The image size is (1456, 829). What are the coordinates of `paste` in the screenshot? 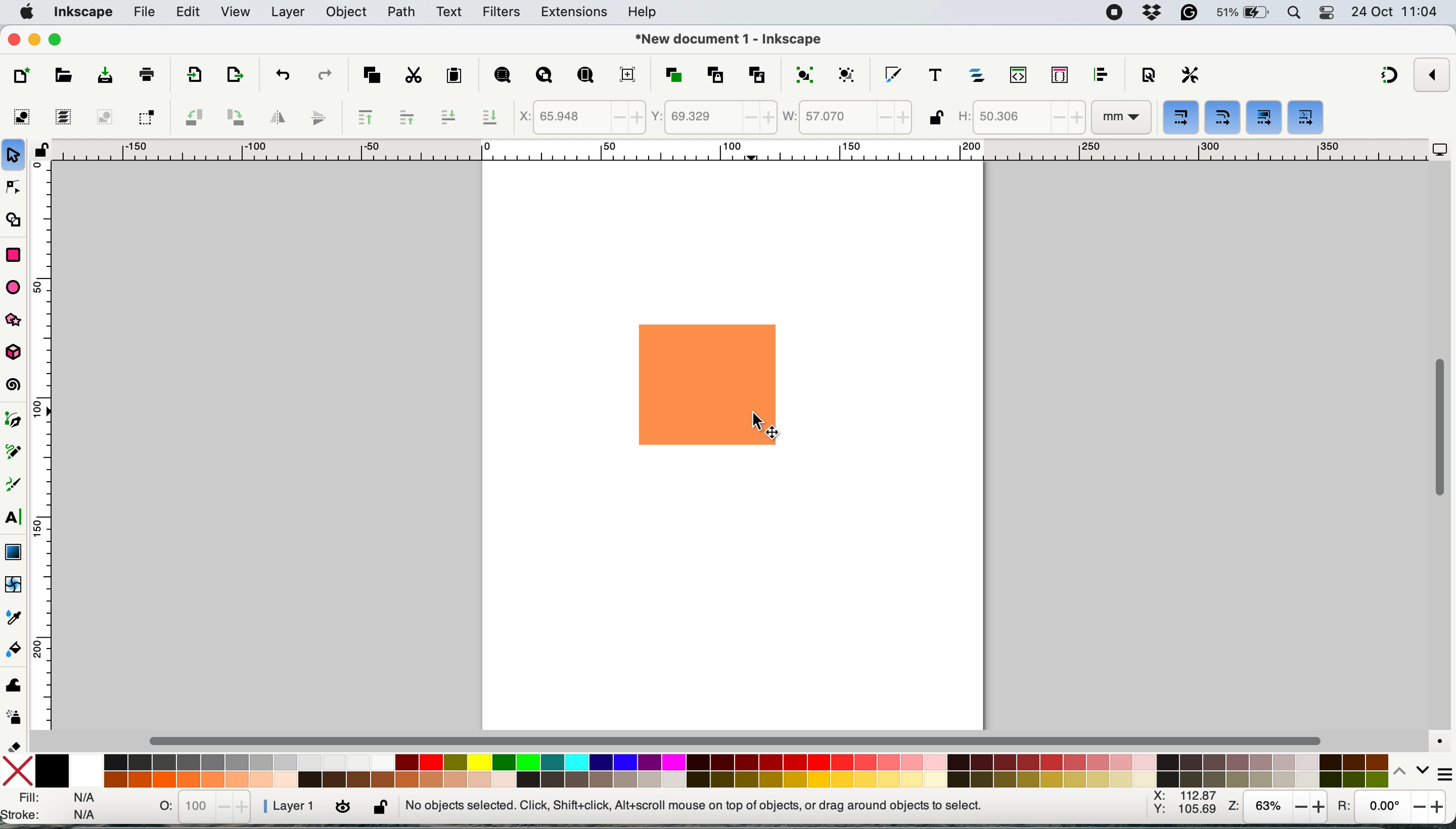 It's located at (453, 76).